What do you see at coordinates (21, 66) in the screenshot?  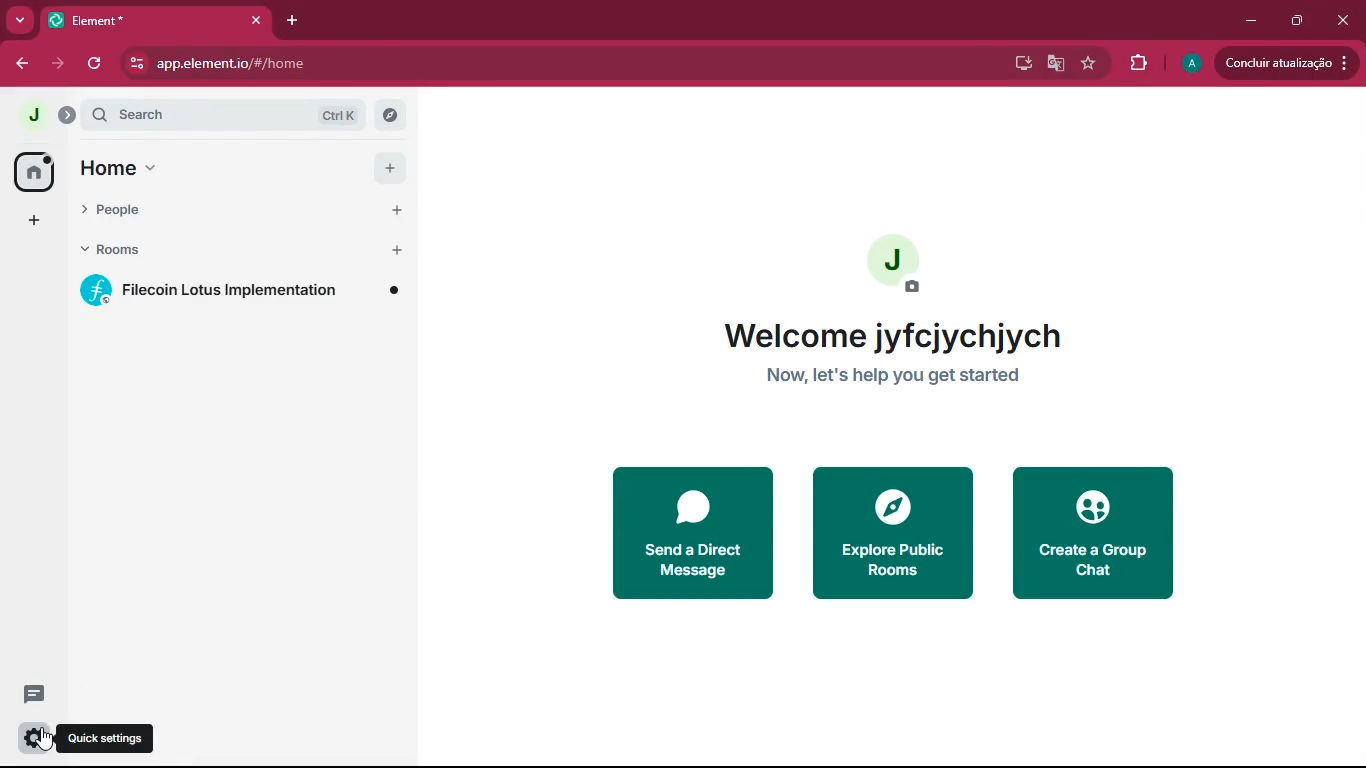 I see `back` at bounding box center [21, 66].